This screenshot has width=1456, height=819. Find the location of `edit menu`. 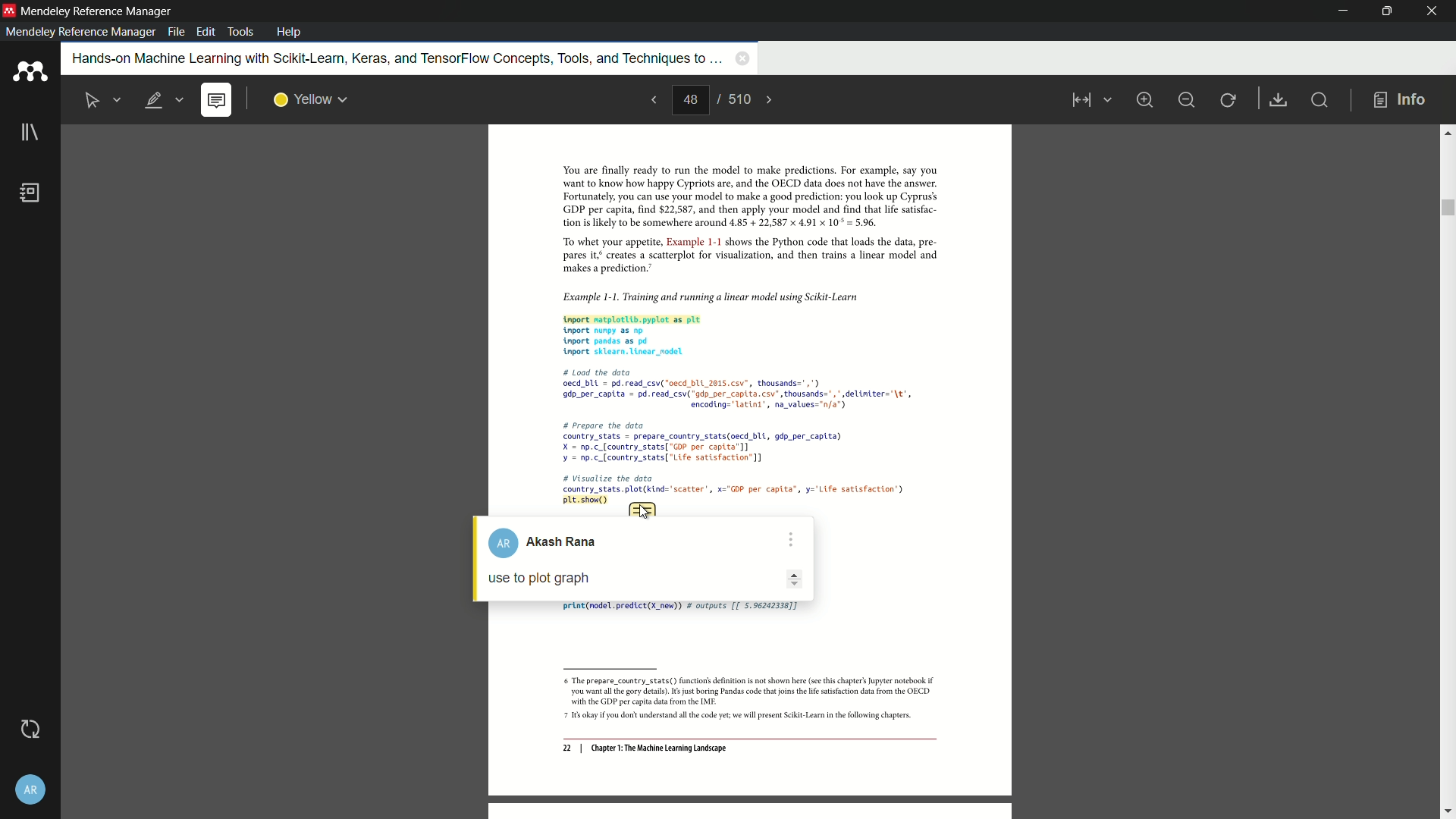

edit menu is located at coordinates (208, 32).